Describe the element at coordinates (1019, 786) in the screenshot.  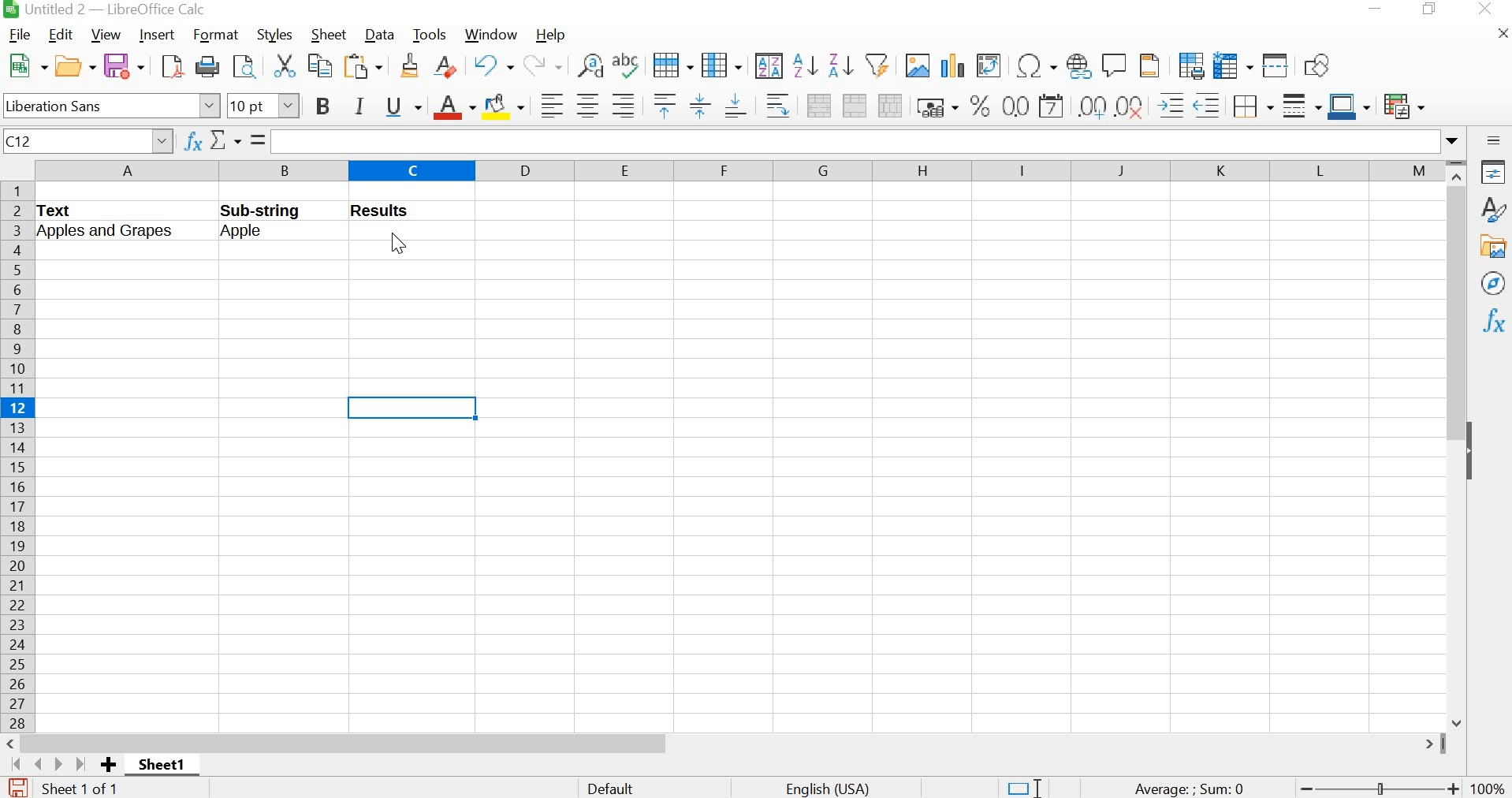
I see `standard selection` at that location.